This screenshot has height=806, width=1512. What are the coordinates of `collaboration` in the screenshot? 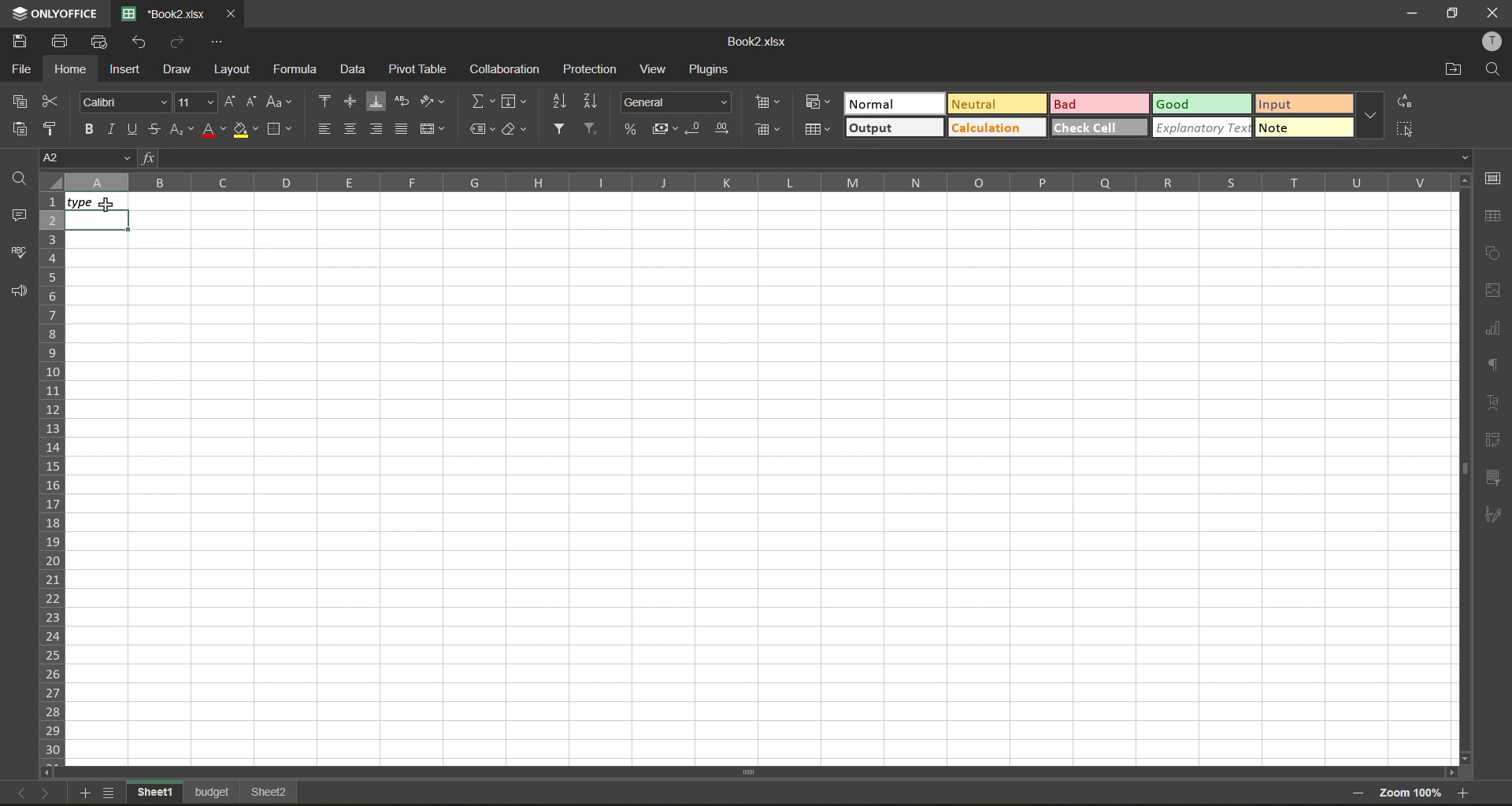 It's located at (508, 72).